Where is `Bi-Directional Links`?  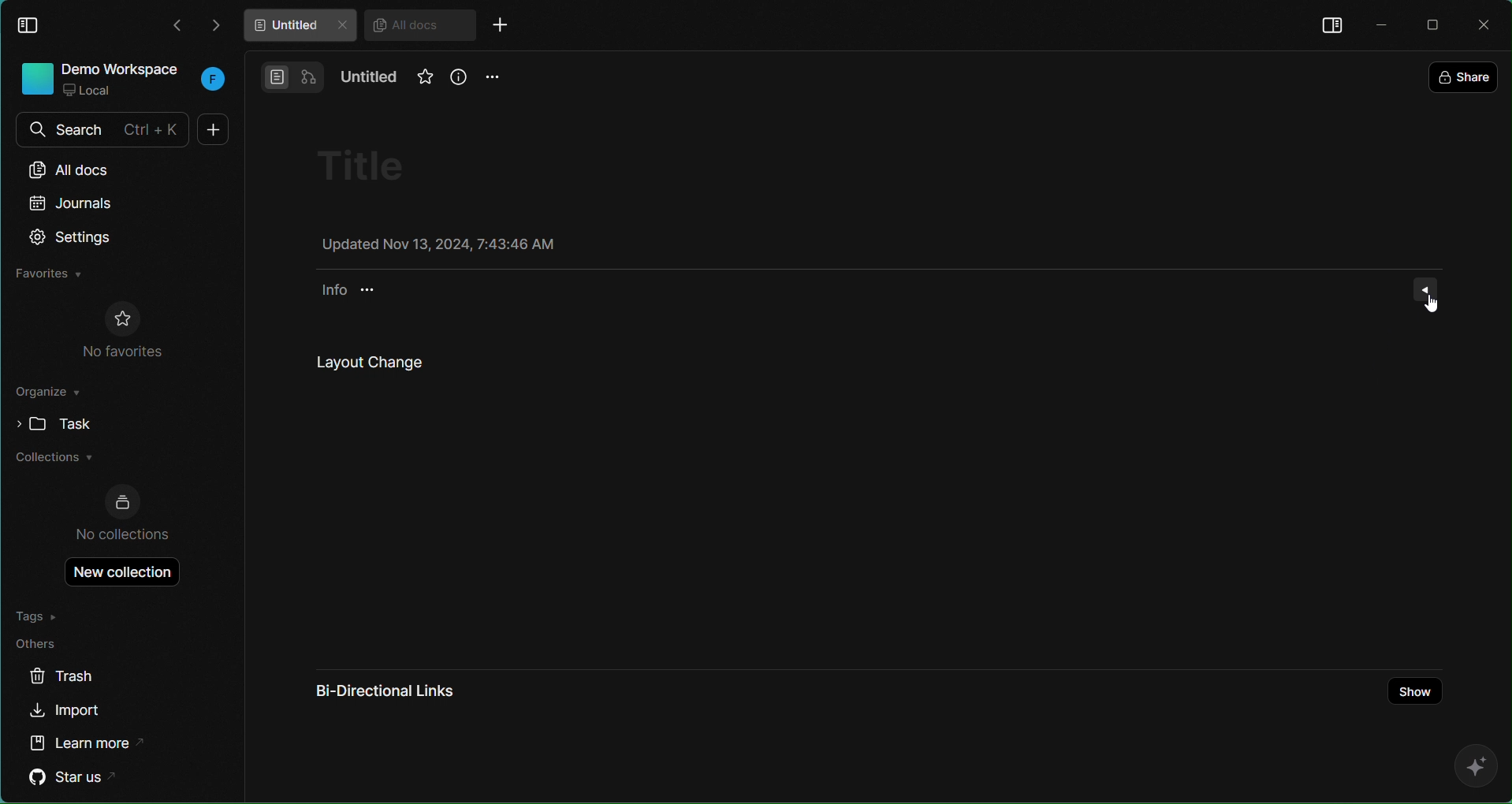 Bi-Directional Links is located at coordinates (409, 693).